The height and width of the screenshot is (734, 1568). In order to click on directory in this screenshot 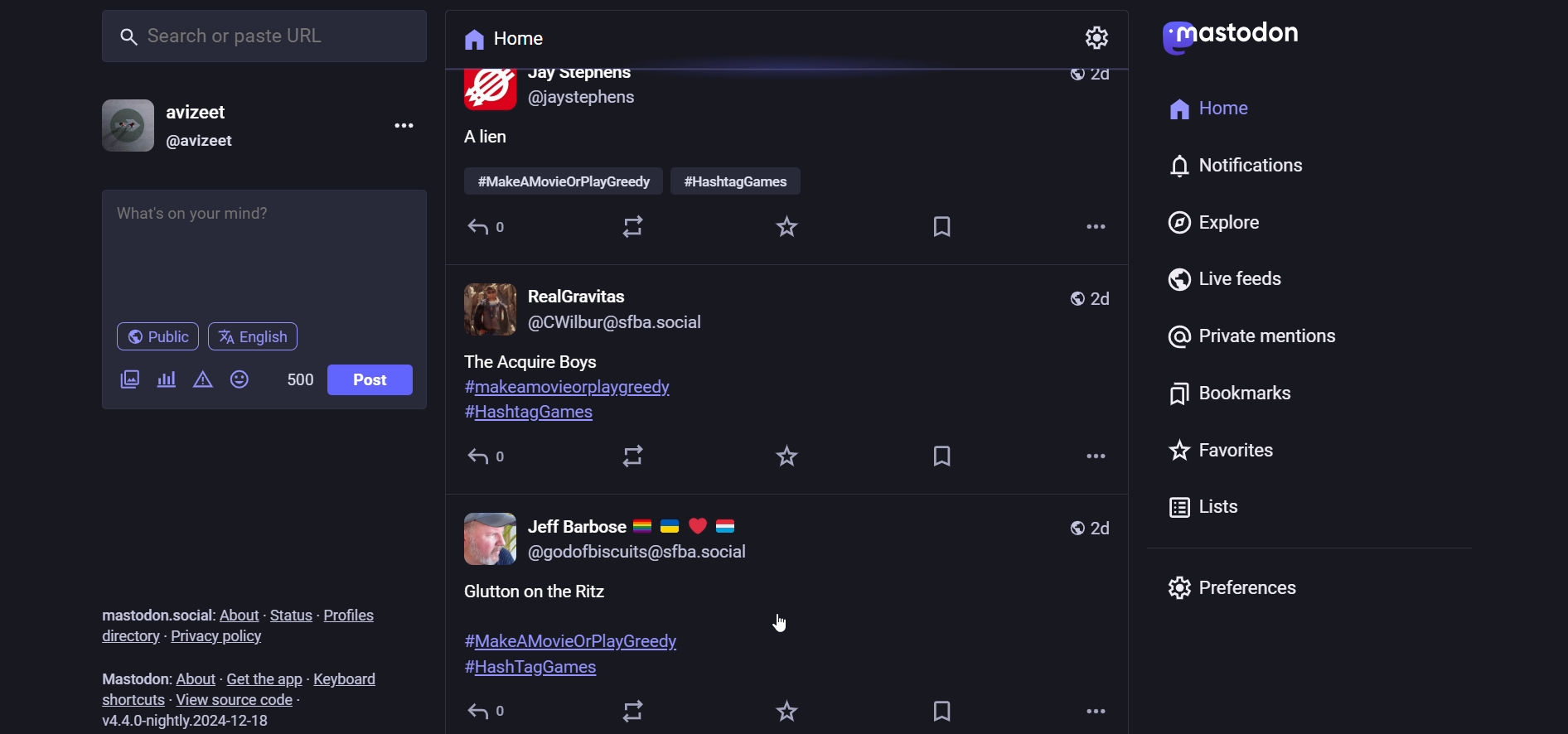, I will do `click(123, 636)`.